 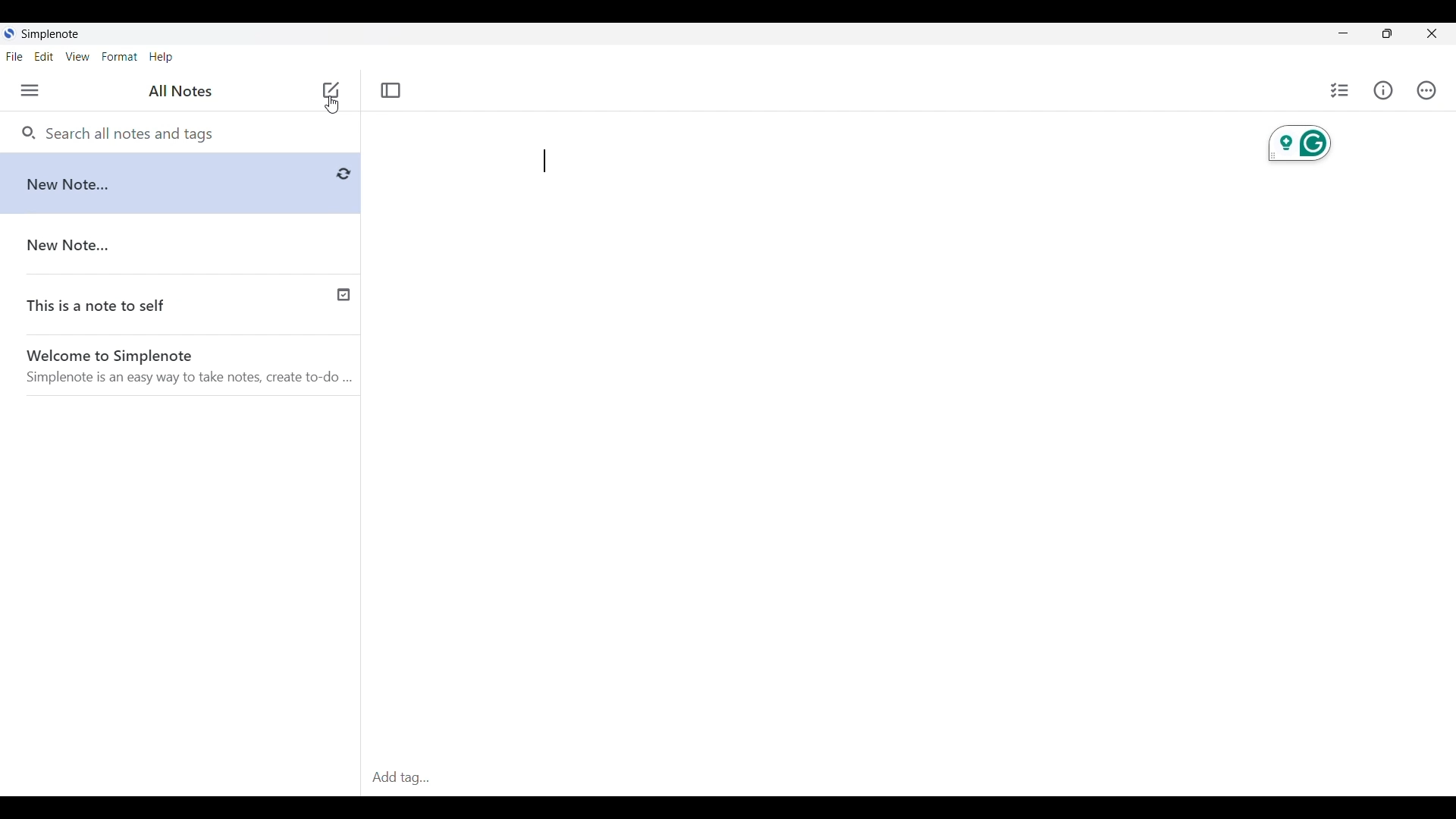 What do you see at coordinates (30, 90) in the screenshot?
I see `Menu` at bounding box center [30, 90].